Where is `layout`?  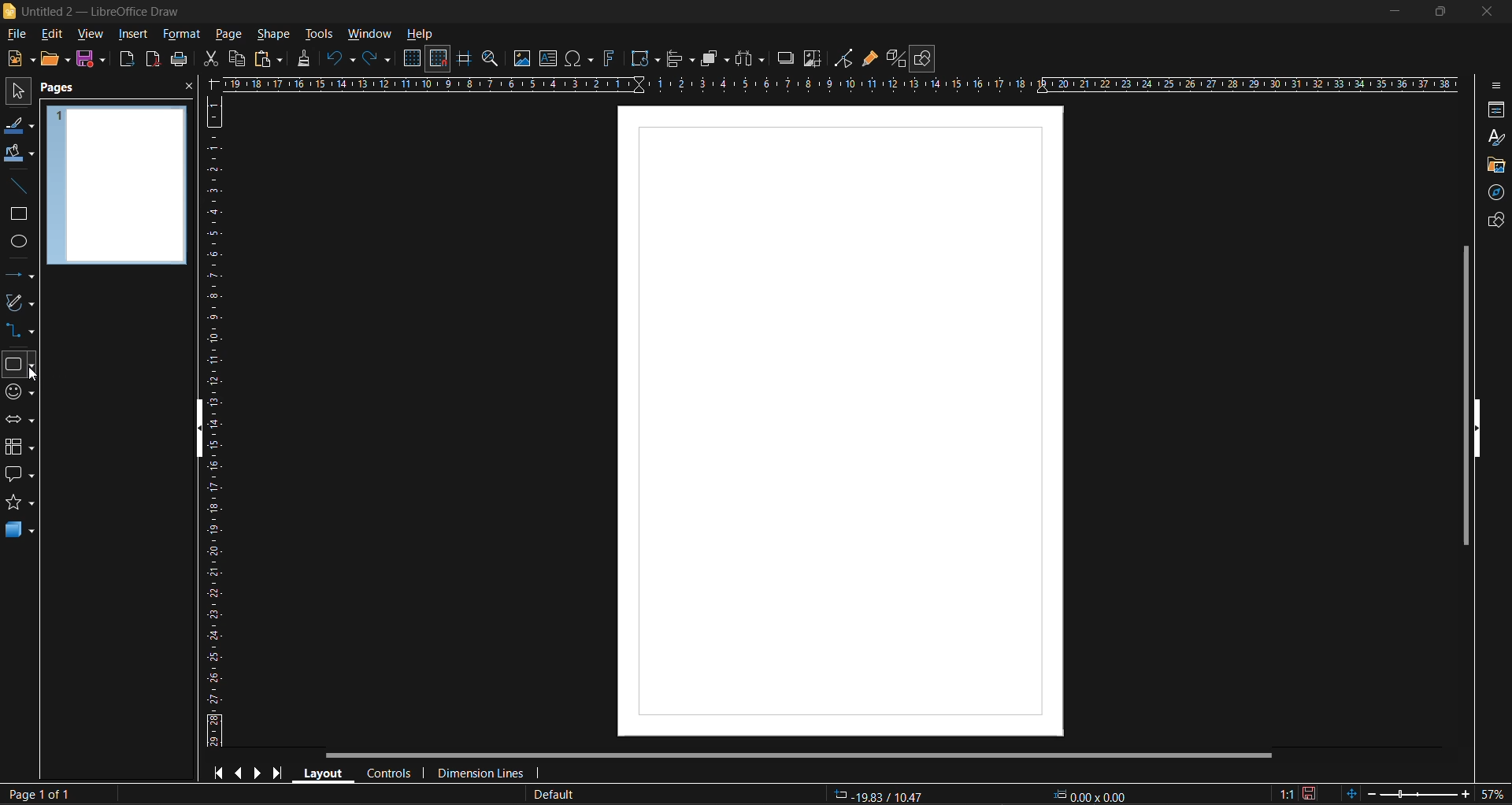
layout is located at coordinates (320, 772).